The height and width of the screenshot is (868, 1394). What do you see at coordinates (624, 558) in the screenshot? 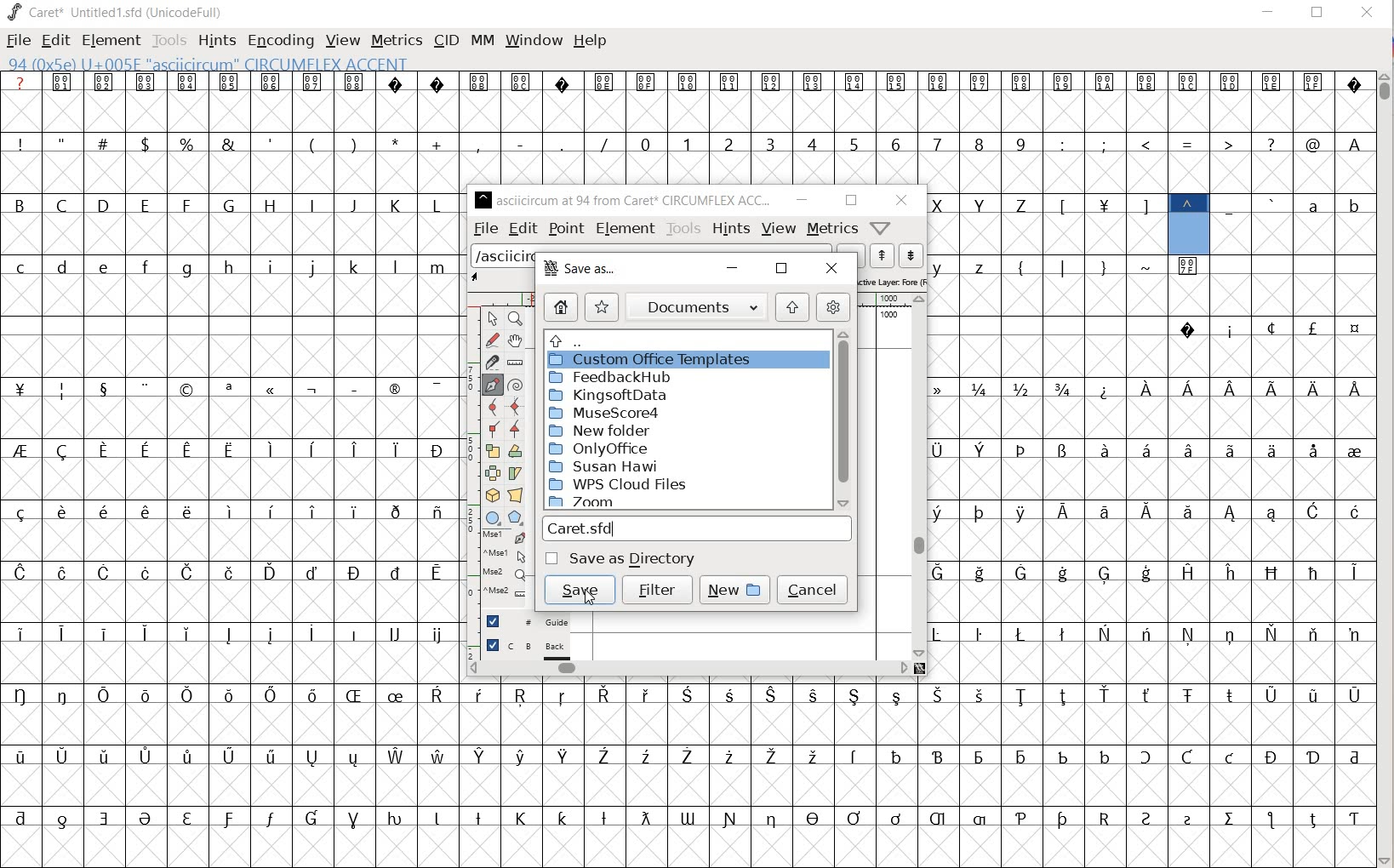
I see `save as Directory` at bounding box center [624, 558].